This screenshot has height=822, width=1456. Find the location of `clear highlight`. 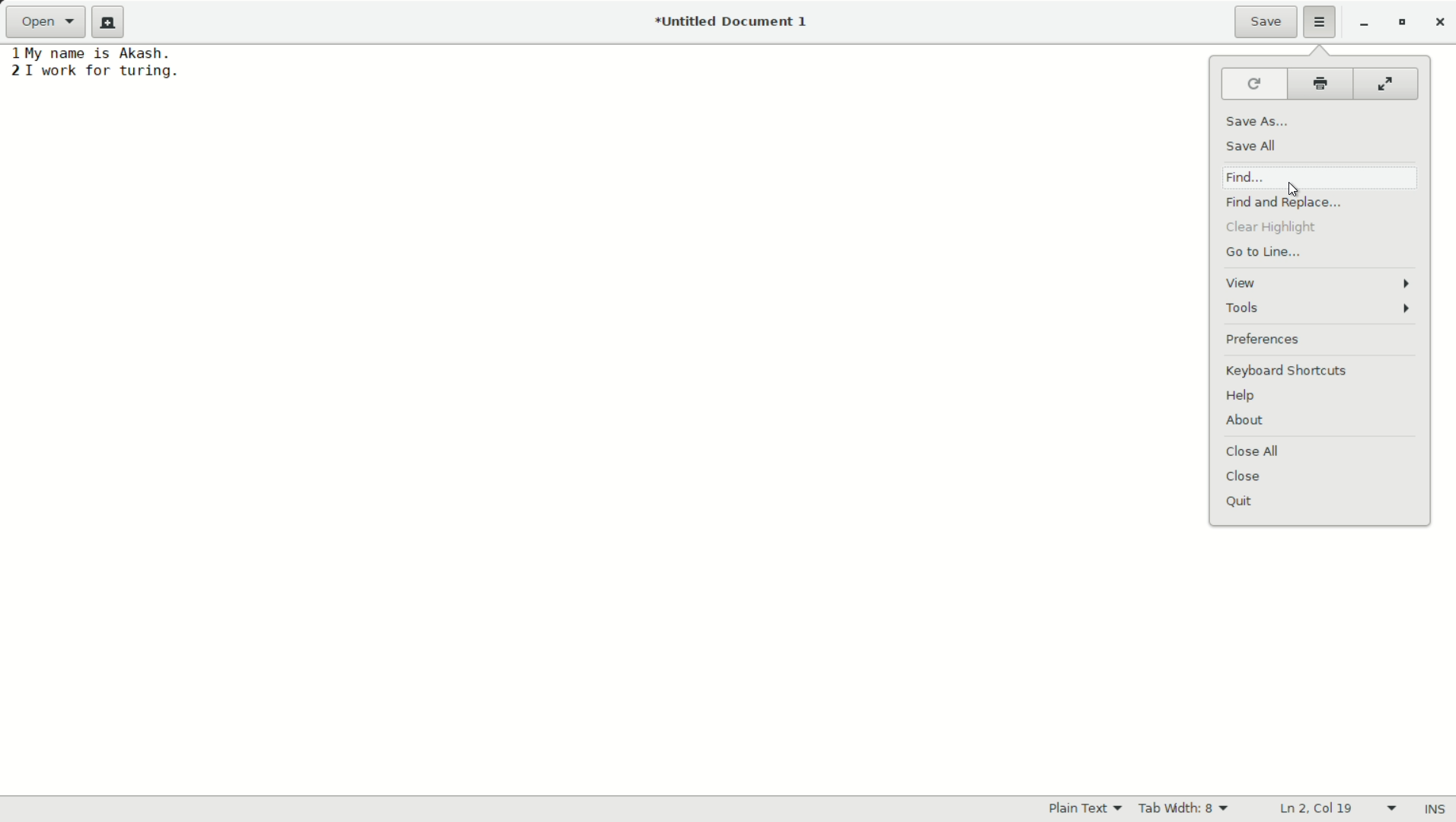

clear highlight is located at coordinates (1268, 228).